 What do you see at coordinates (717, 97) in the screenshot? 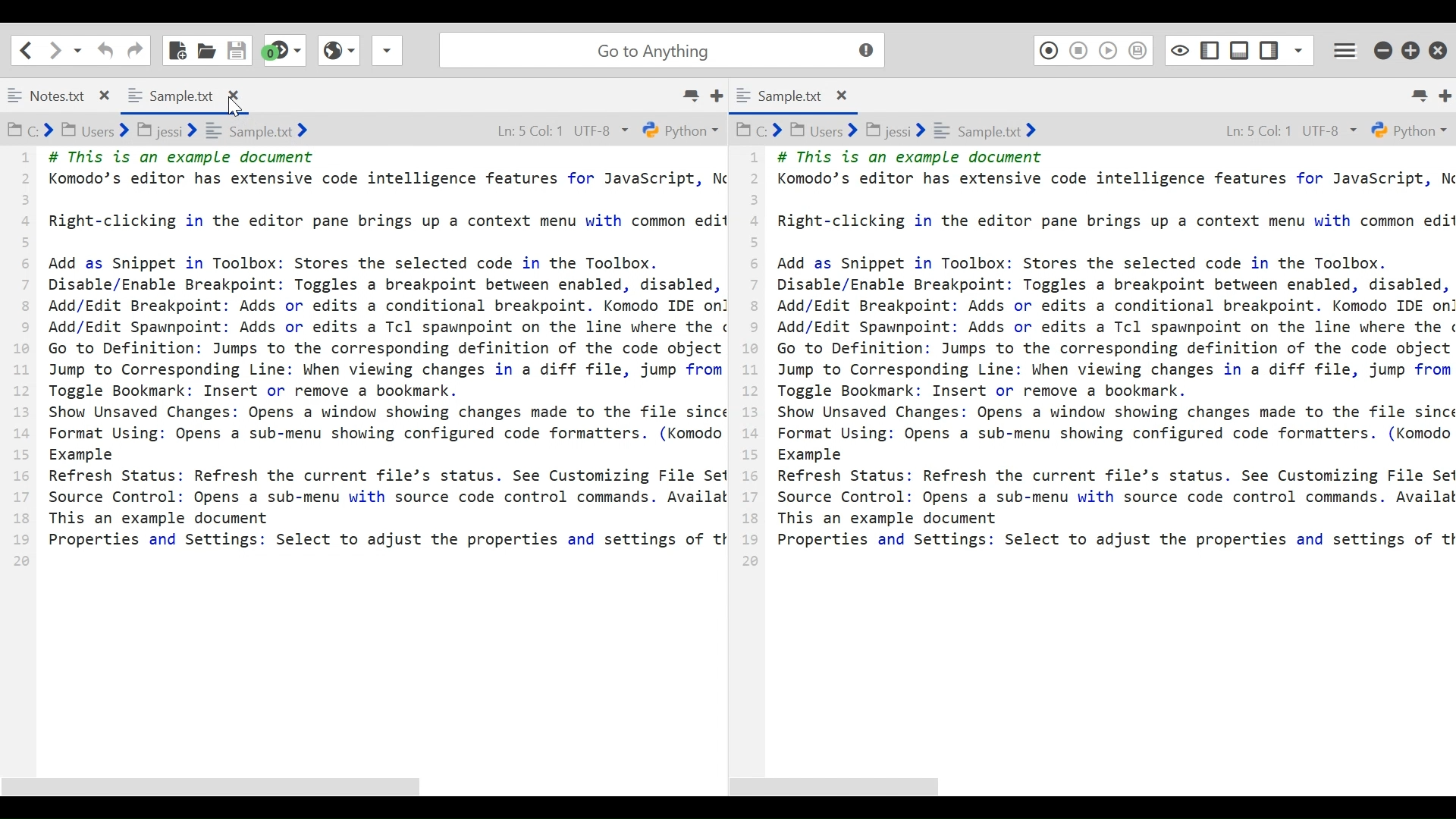
I see `New Tab` at bounding box center [717, 97].